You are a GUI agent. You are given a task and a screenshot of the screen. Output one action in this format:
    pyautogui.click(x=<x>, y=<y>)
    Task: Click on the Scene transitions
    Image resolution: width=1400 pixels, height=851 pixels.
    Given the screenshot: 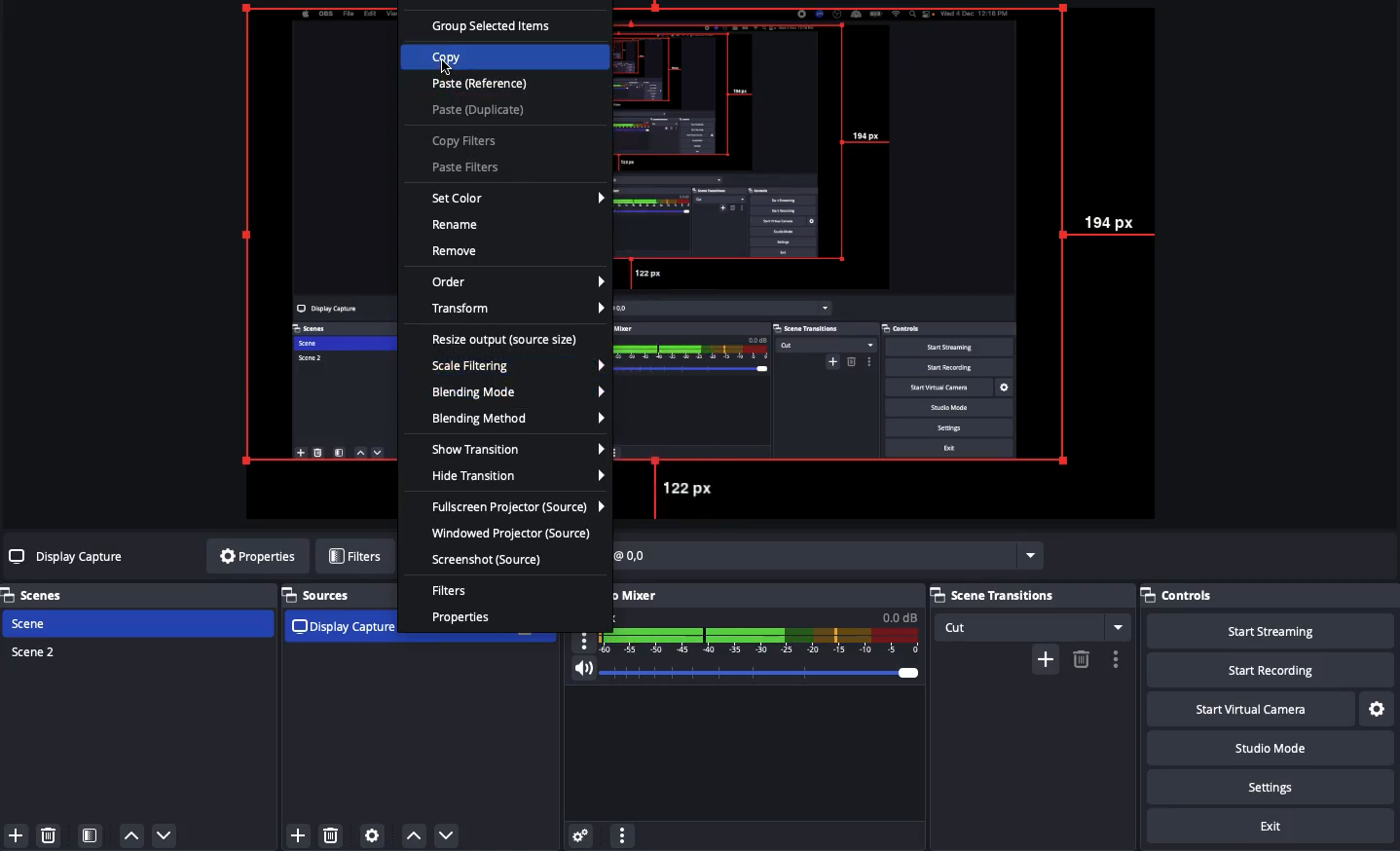 What is the action you would take?
    pyautogui.click(x=1026, y=596)
    